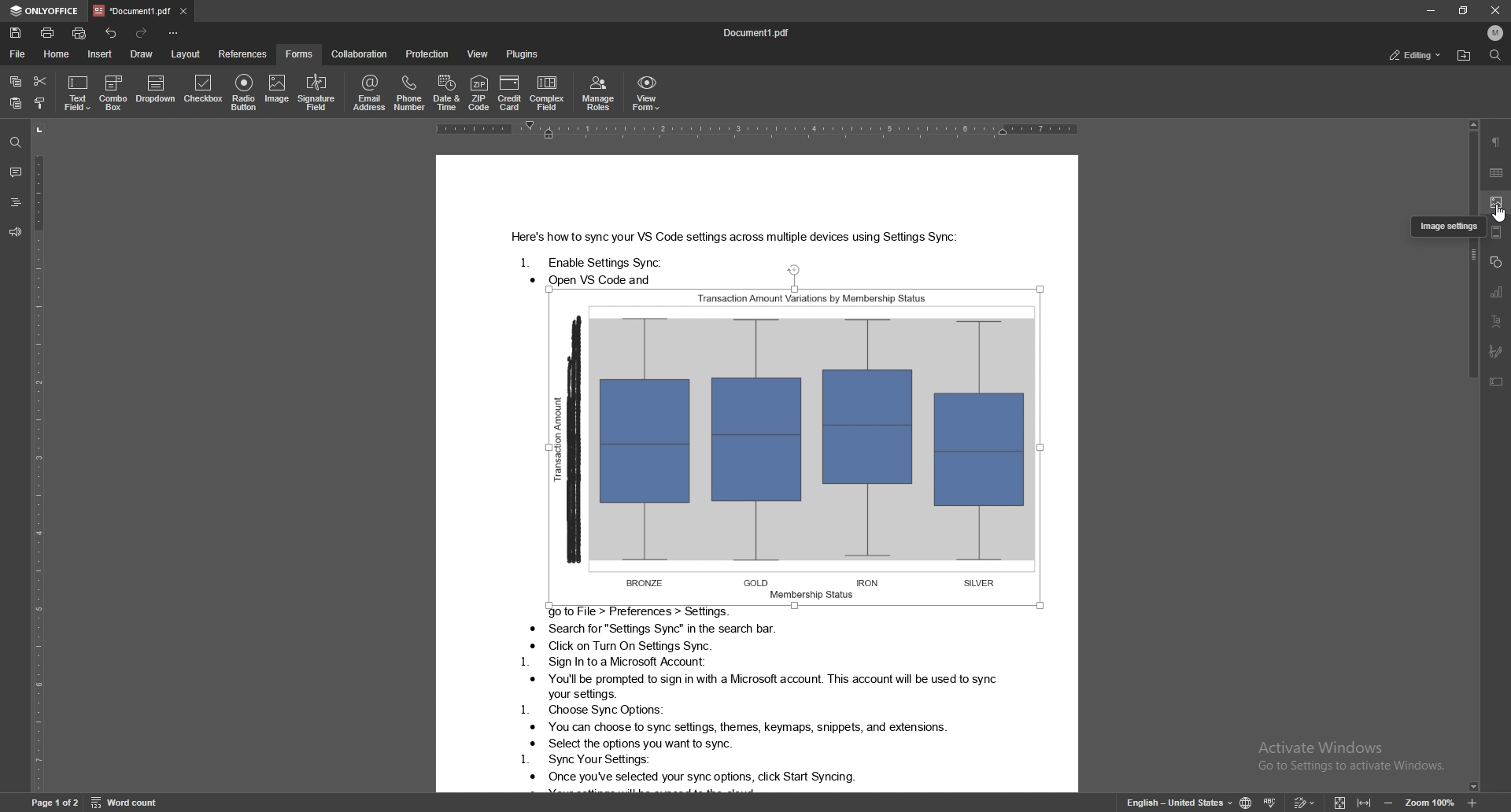  Describe the element at coordinates (186, 54) in the screenshot. I see `layout` at that location.